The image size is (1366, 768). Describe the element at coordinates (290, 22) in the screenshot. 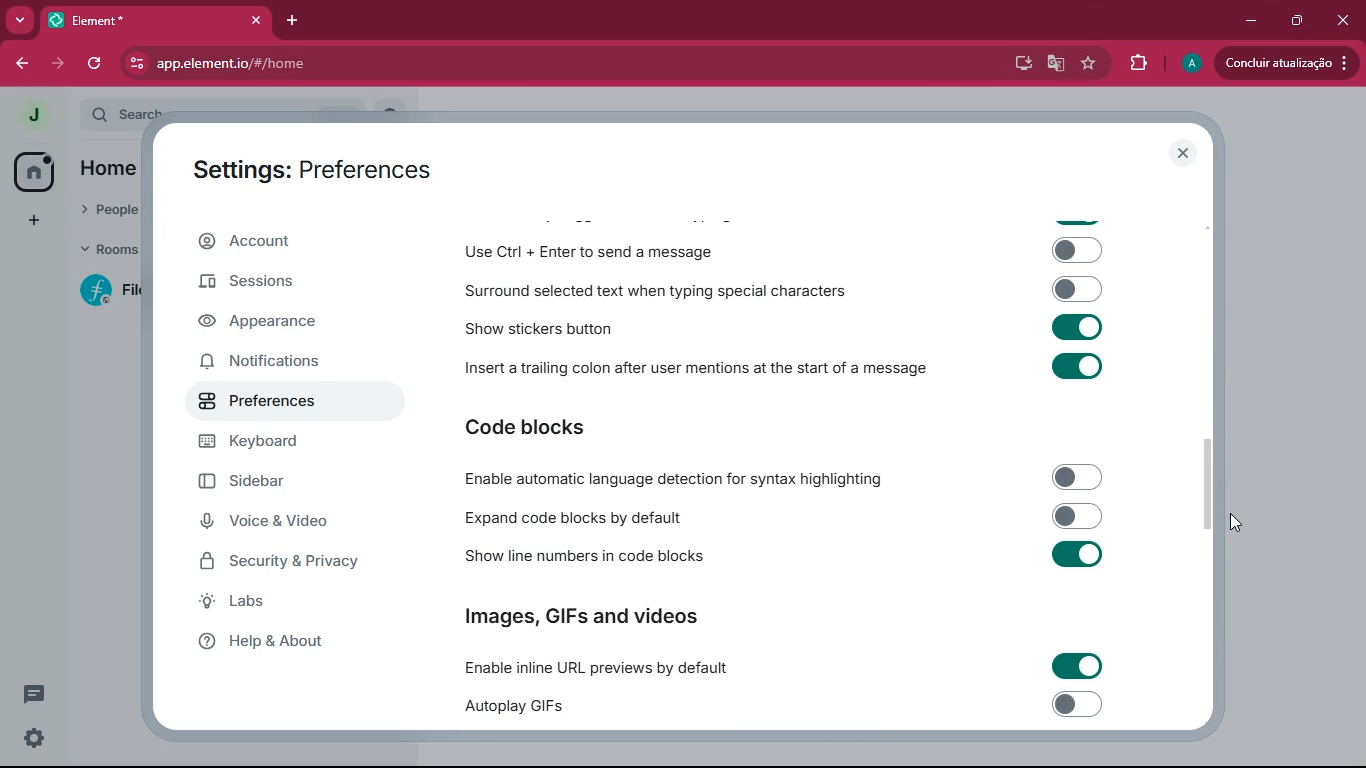

I see `add tab` at that location.